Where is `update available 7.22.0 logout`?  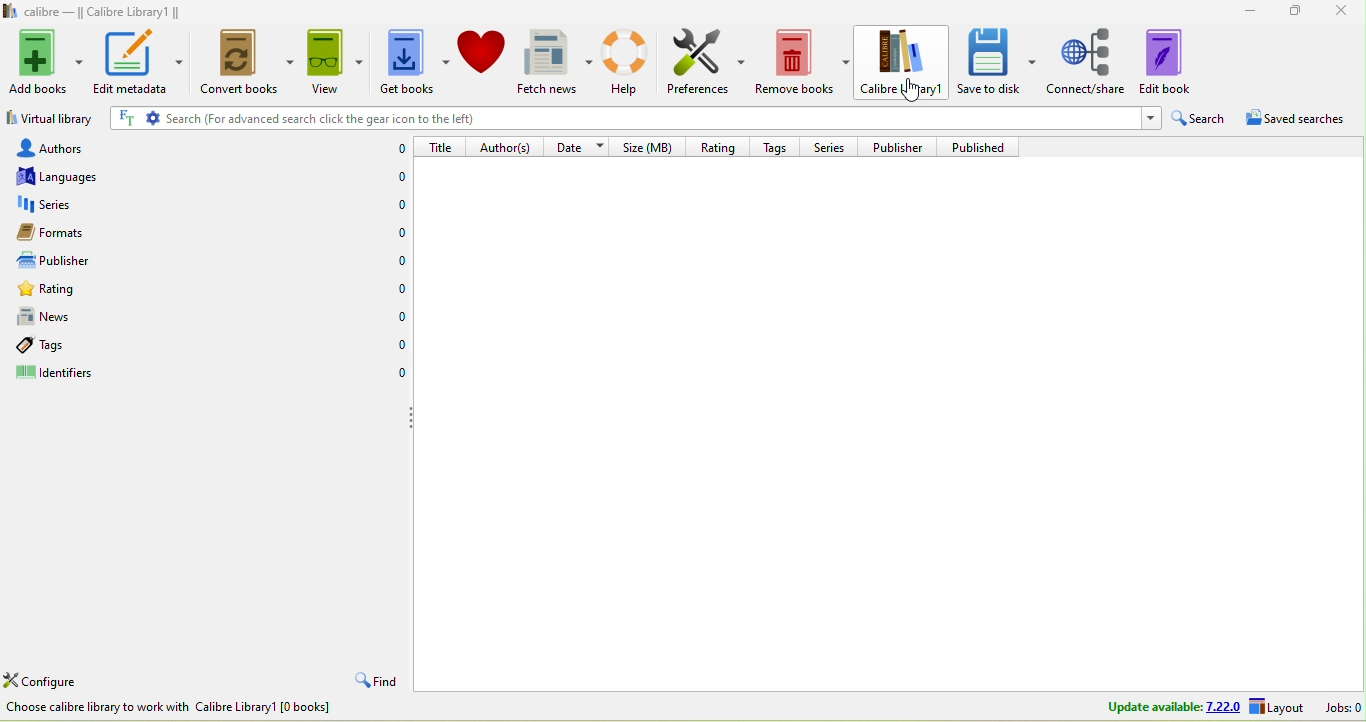 update available 7.22.0 logout is located at coordinates (1199, 708).